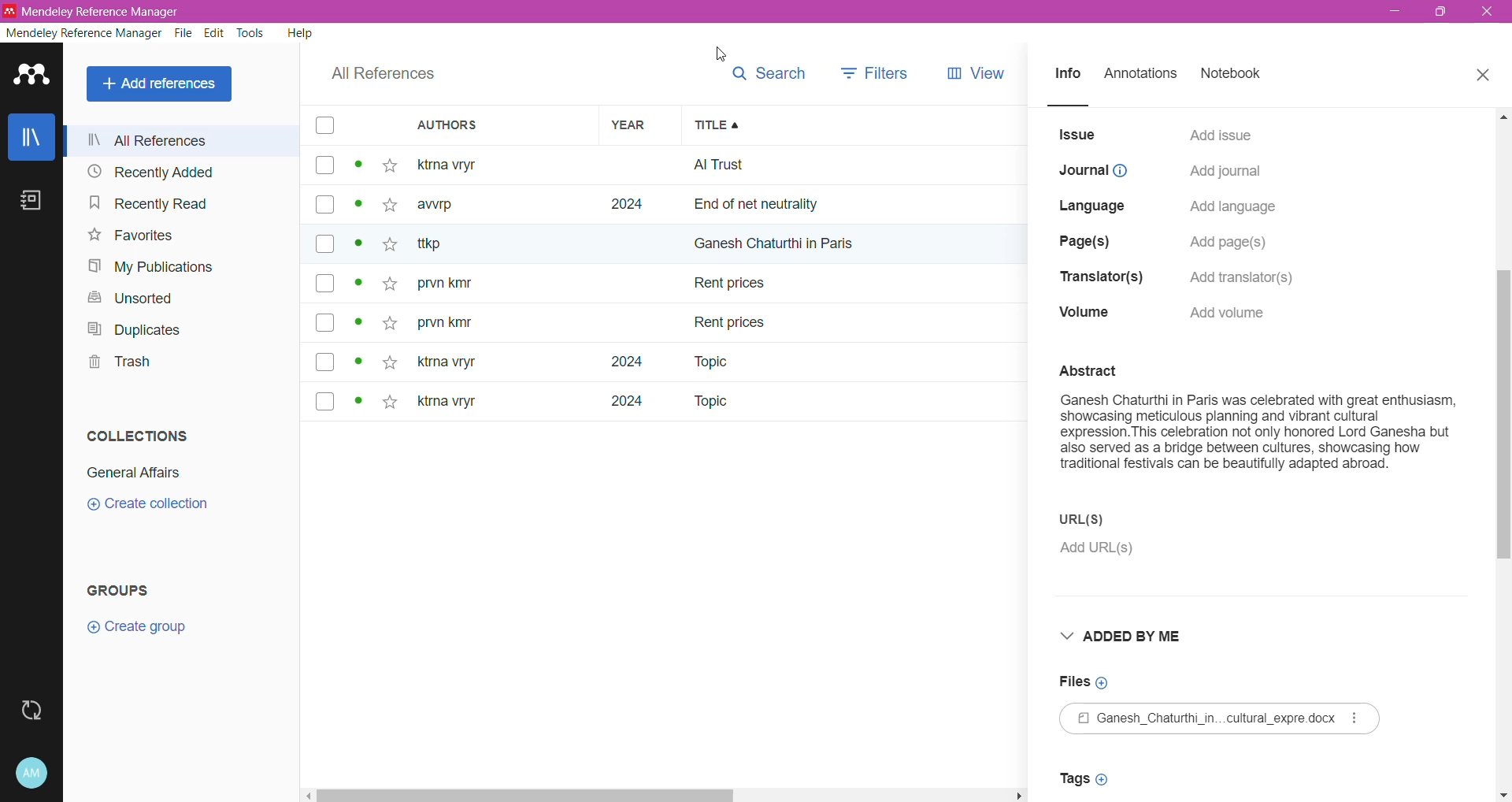 The width and height of the screenshot is (1512, 802). I want to click on Tags, so click(1088, 778).